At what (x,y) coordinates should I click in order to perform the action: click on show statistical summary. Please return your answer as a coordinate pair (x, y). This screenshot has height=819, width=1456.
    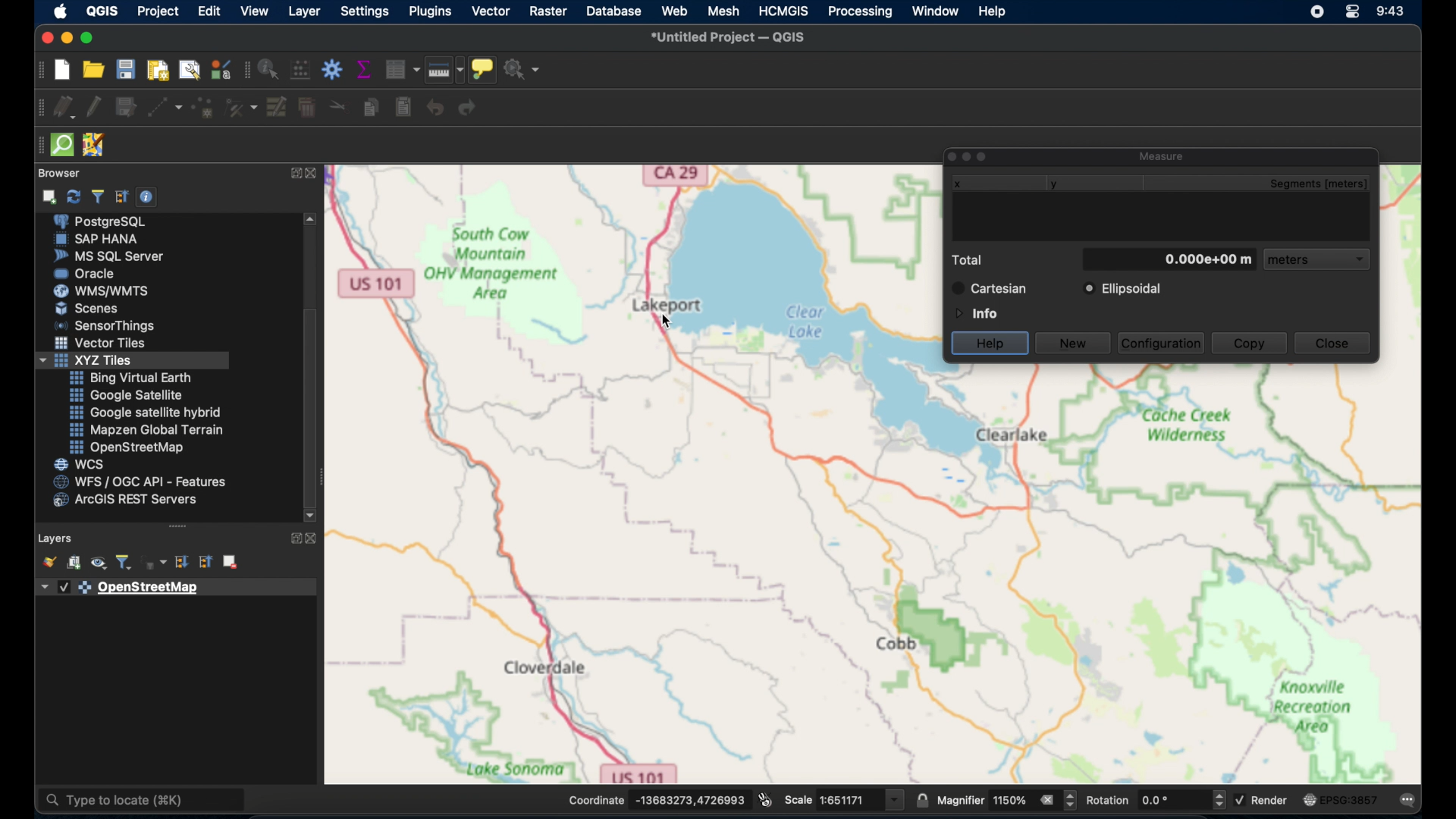
    Looking at the image, I should click on (366, 69).